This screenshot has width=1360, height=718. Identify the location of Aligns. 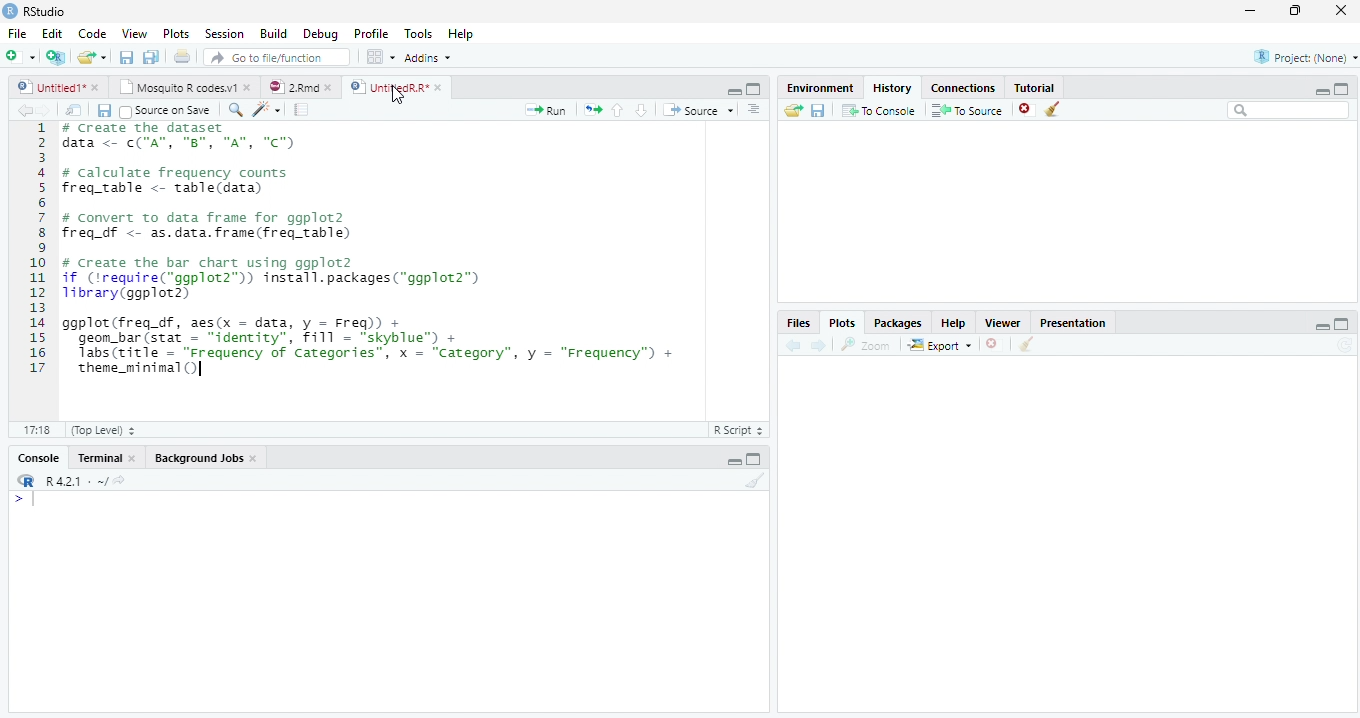
(755, 110).